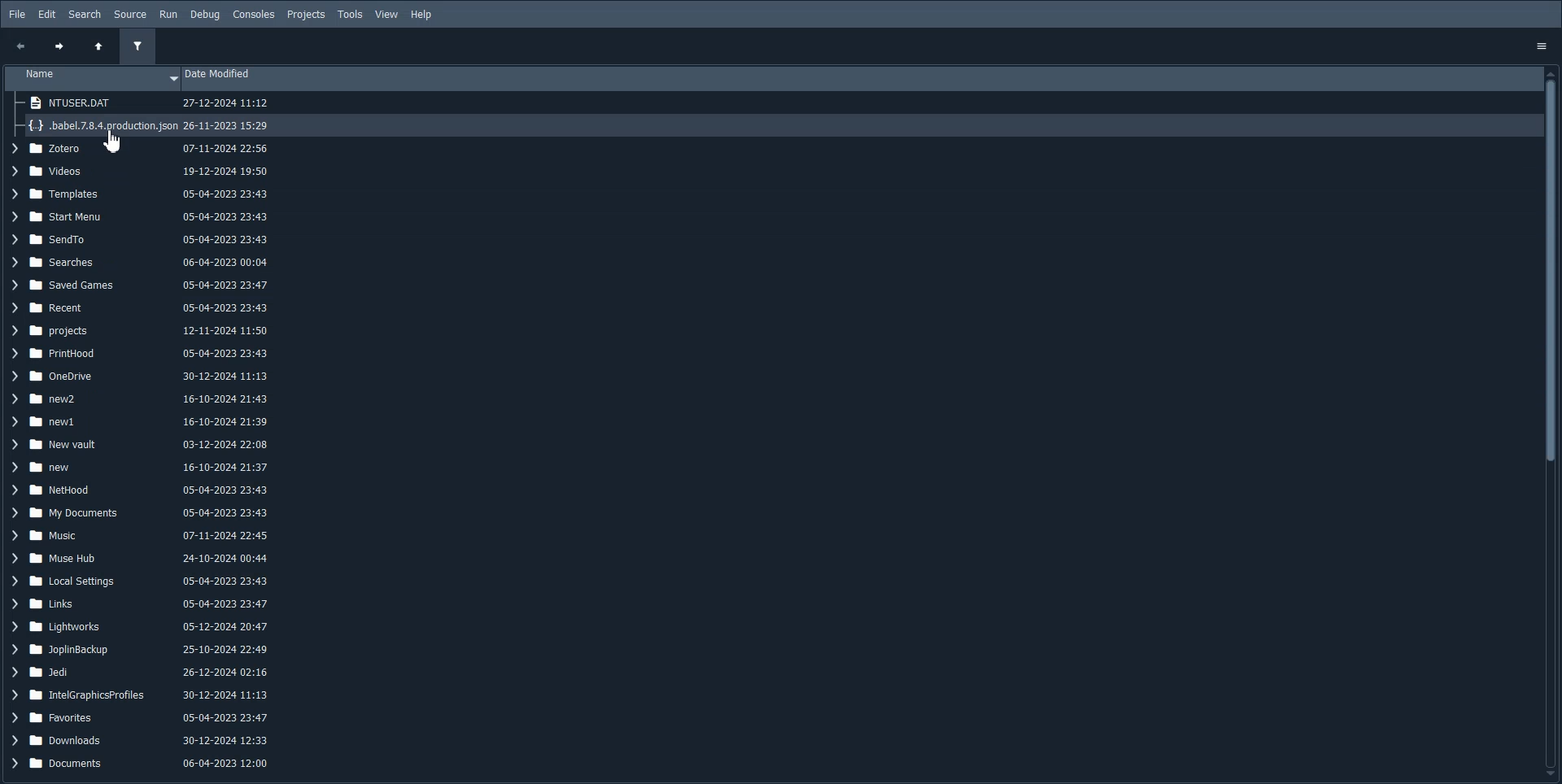 The height and width of the screenshot is (784, 1562). I want to click on Previous, so click(20, 46).